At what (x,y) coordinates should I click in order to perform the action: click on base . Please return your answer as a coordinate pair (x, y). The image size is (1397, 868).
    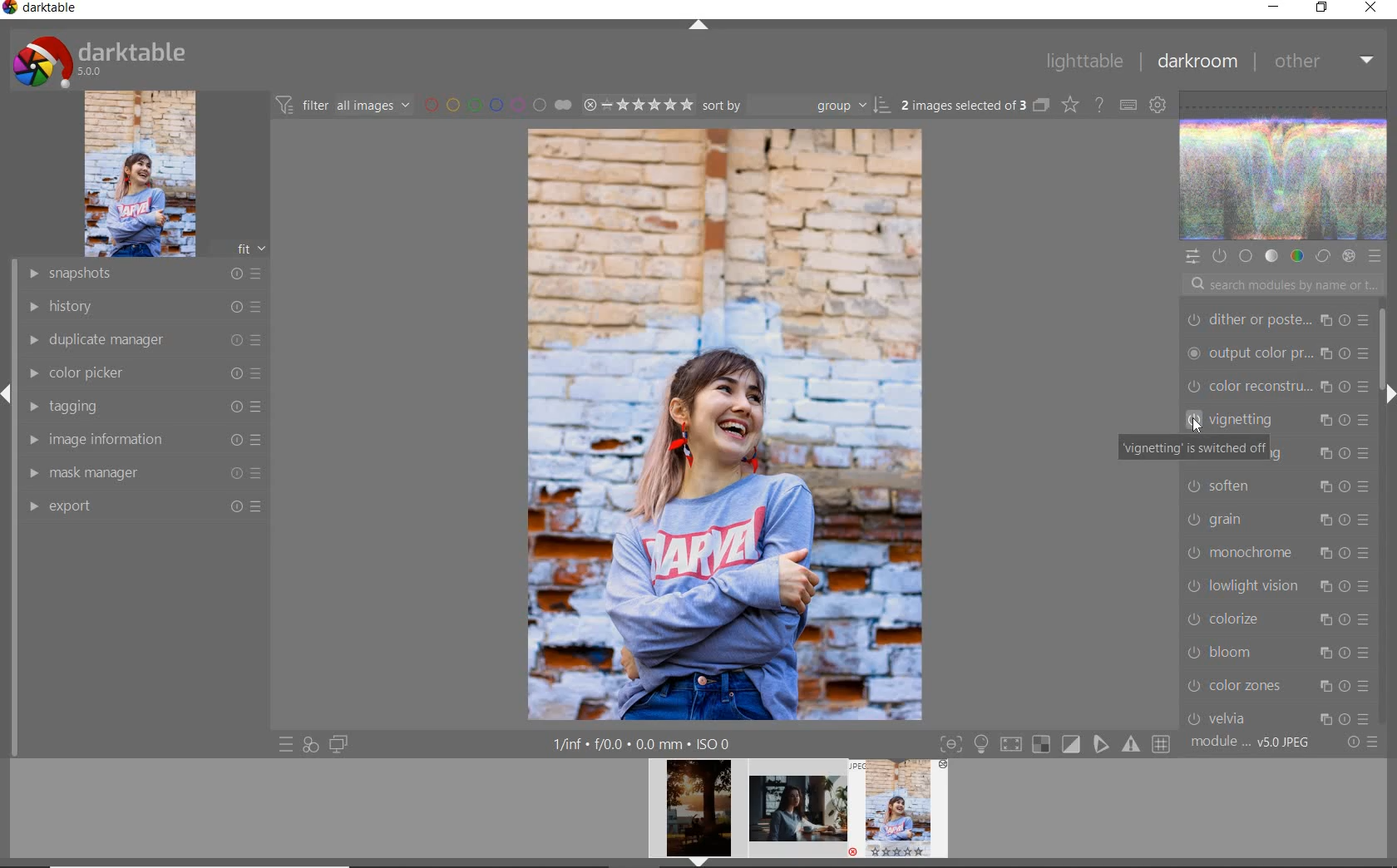
    Looking at the image, I should click on (1247, 257).